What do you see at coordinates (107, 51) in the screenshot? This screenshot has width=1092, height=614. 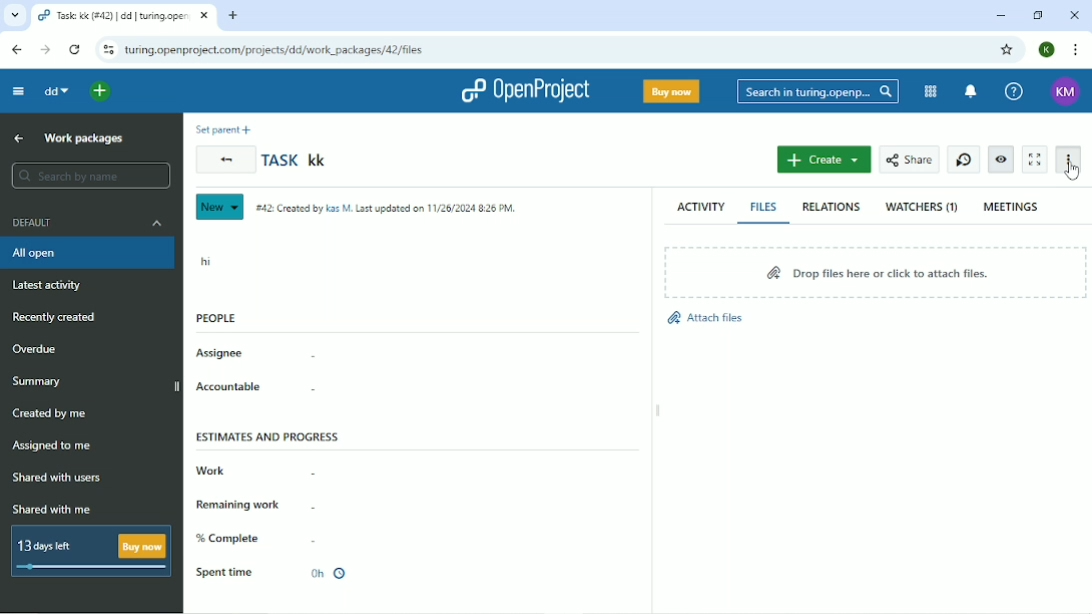 I see `View site information` at bounding box center [107, 51].